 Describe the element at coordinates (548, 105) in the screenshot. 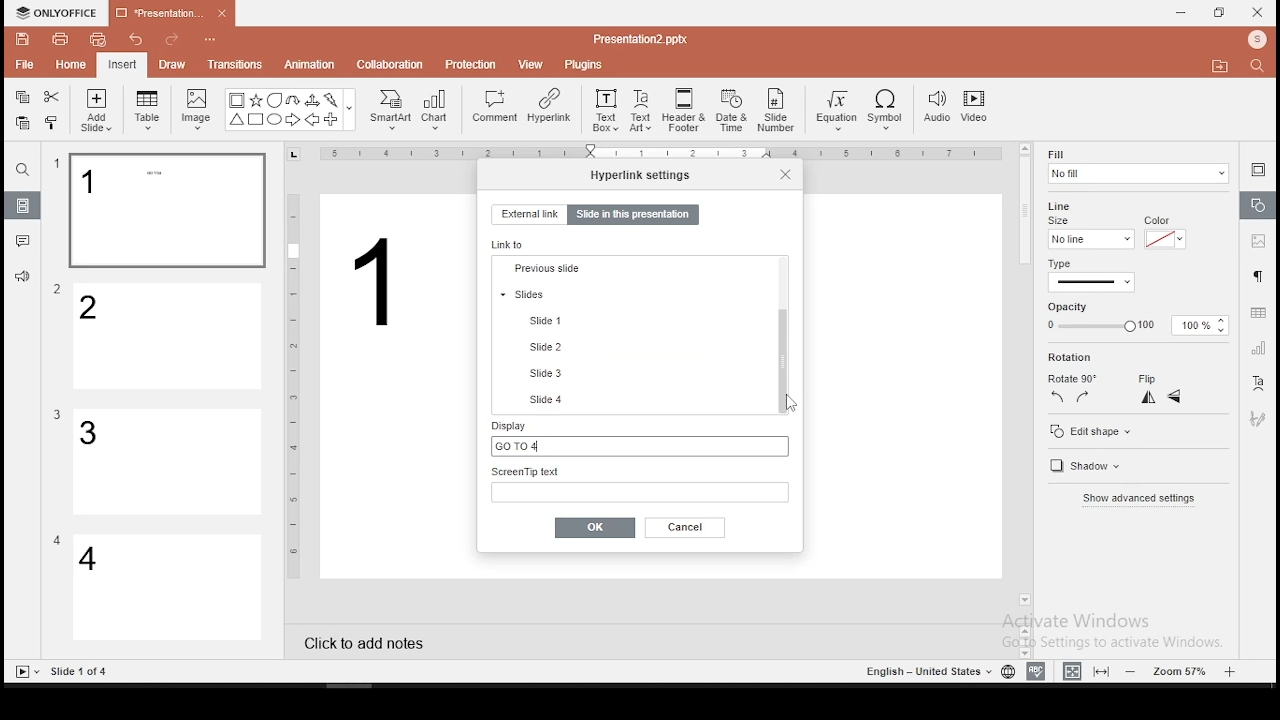

I see `hyperlink` at that location.